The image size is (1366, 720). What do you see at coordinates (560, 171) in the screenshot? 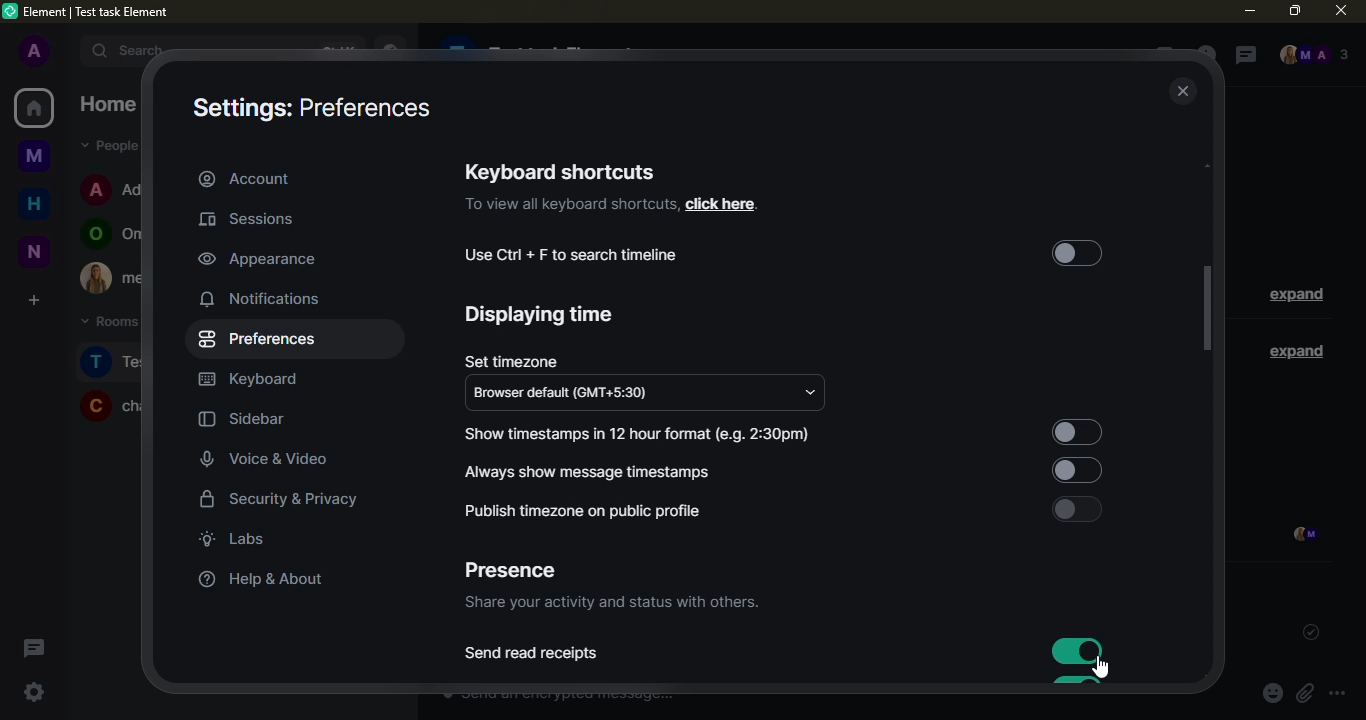
I see `keyboard shortcuts` at bounding box center [560, 171].